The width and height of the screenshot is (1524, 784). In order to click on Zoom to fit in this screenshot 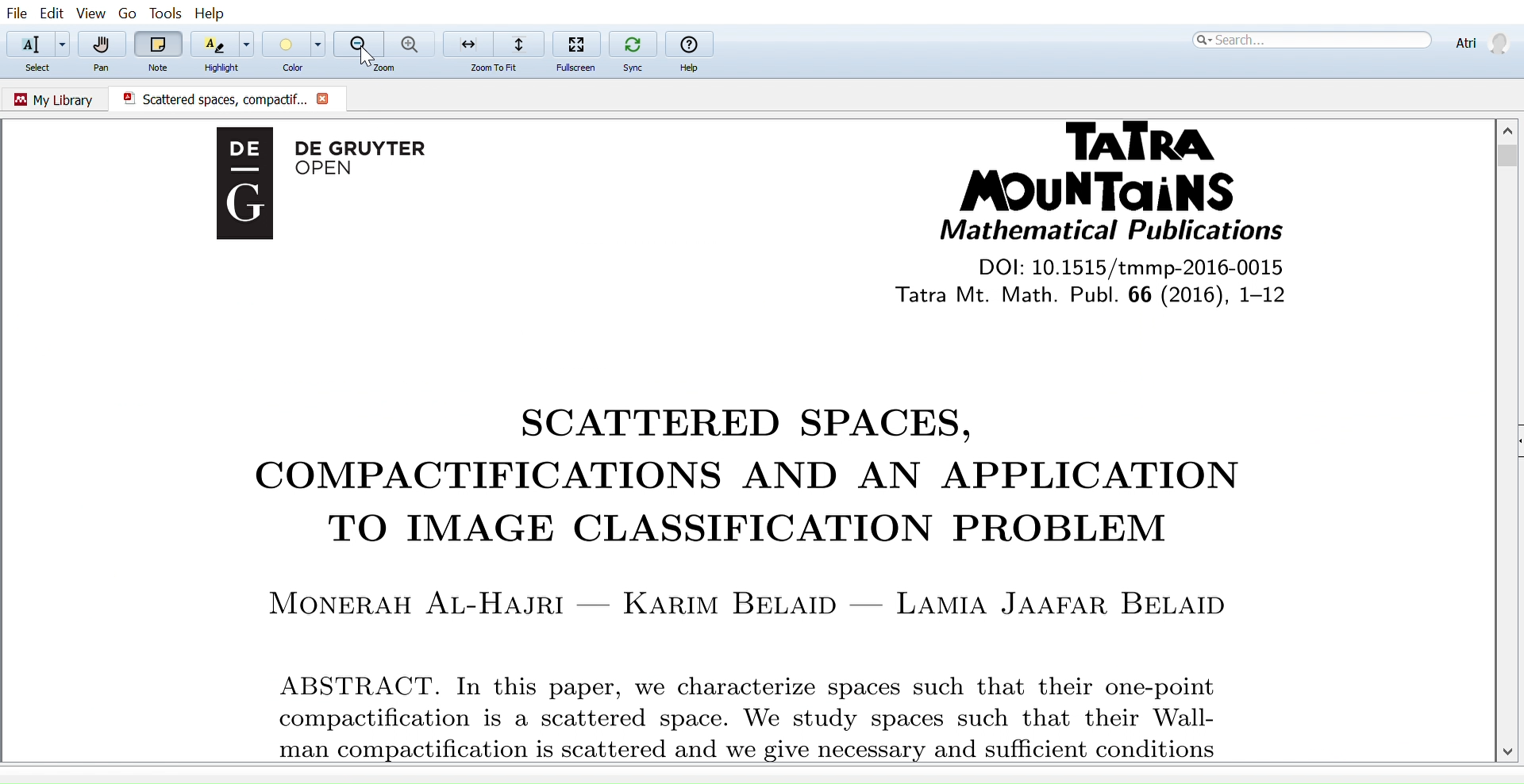, I will do `click(492, 43)`.